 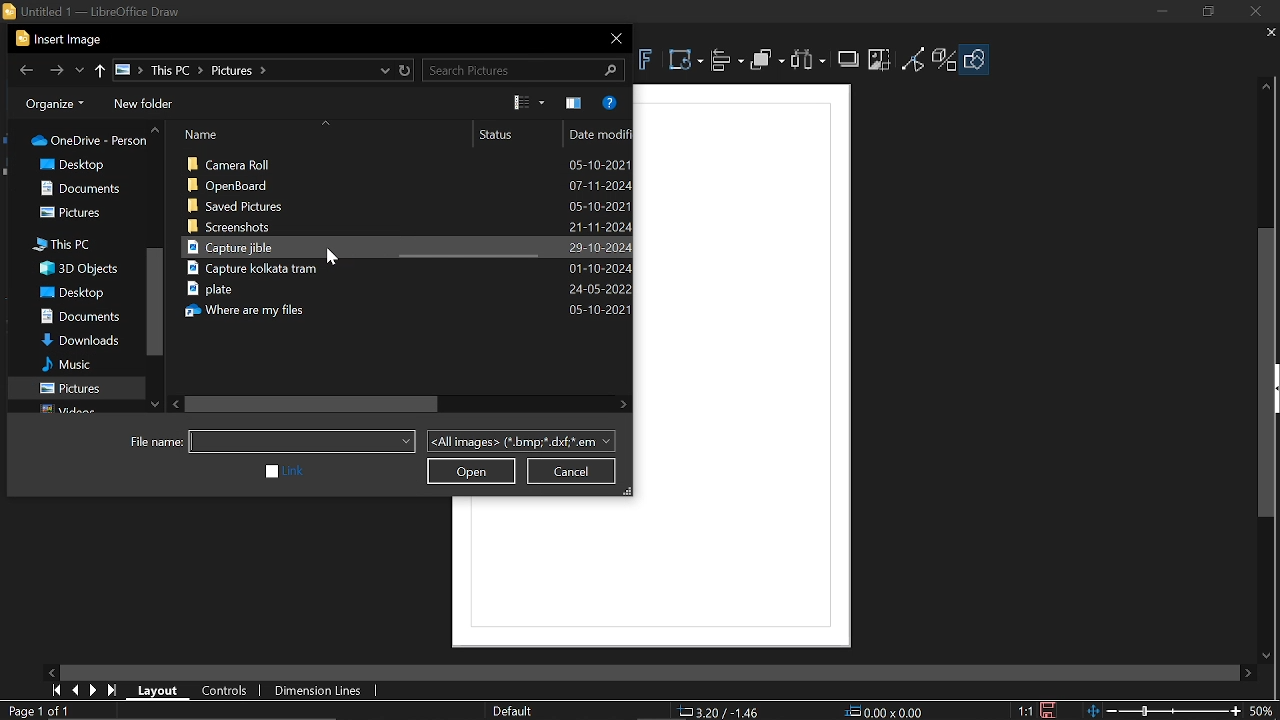 What do you see at coordinates (56, 71) in the screenshot?
I see `Forward` at bounding box center [56, 71].